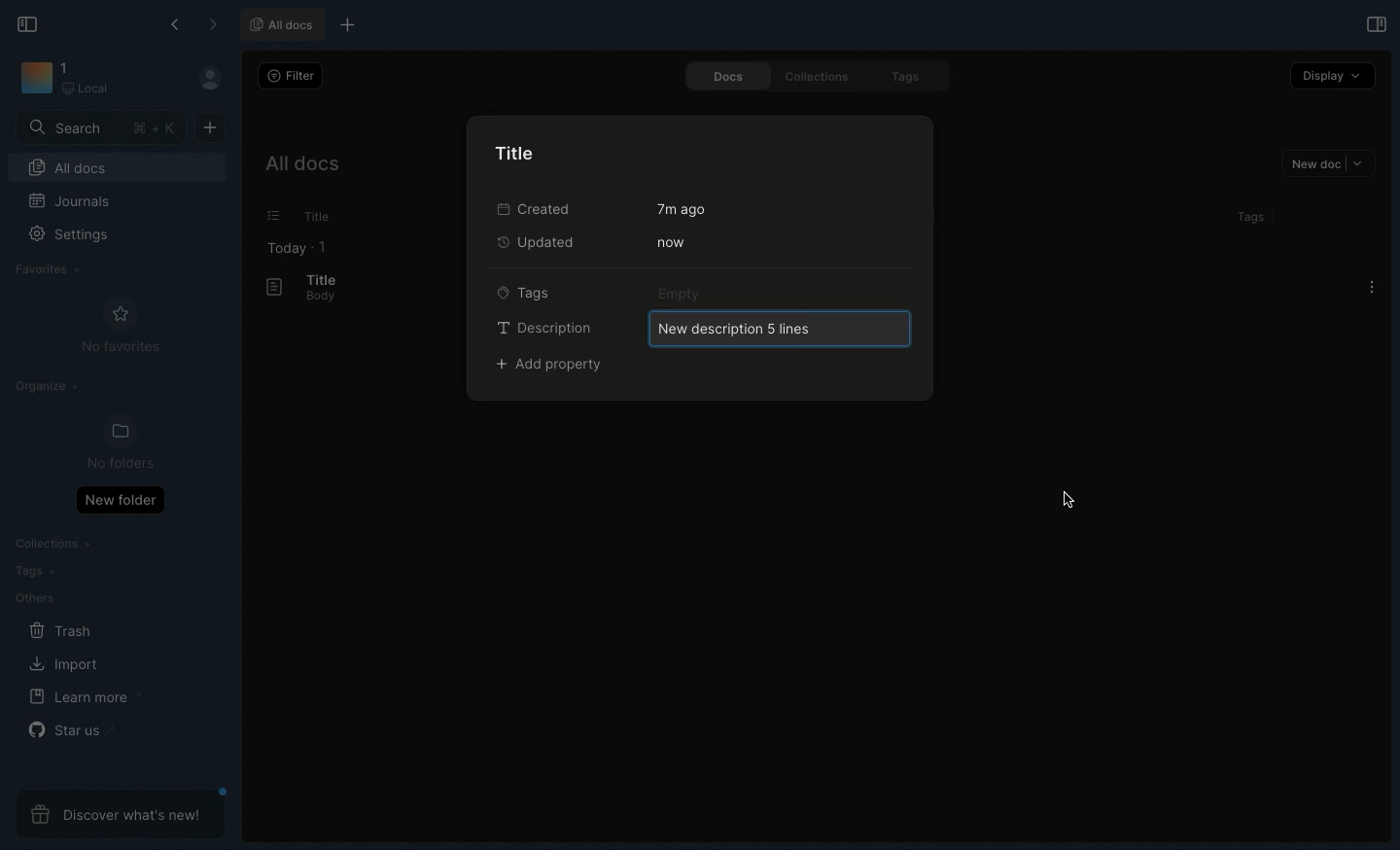  What do you see at coordinates (909, 78) in the screenshot?
I see `Tags` at bounding box center [909, 78].